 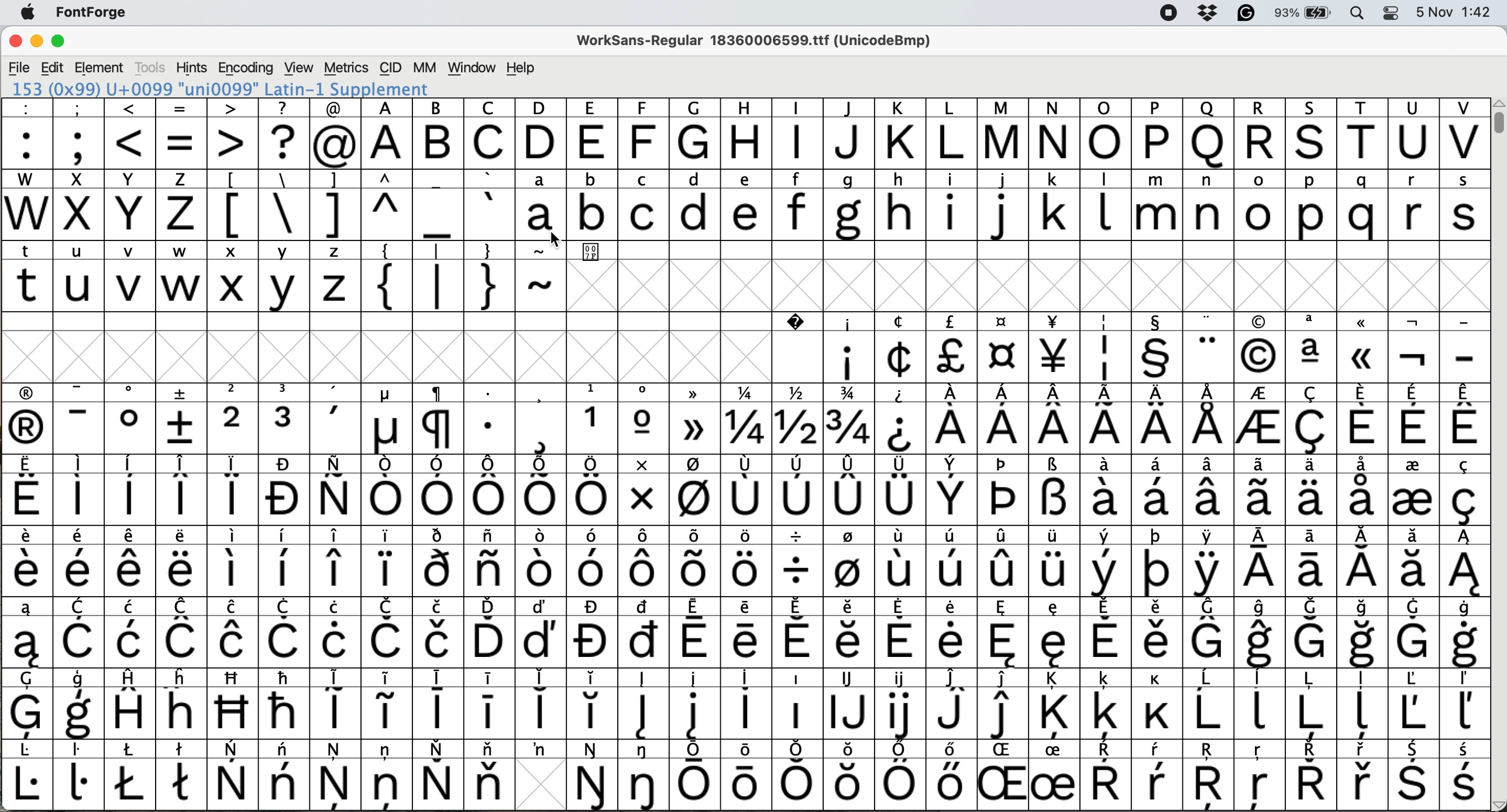 I want to click on symbol, so click(x=337, y=632).